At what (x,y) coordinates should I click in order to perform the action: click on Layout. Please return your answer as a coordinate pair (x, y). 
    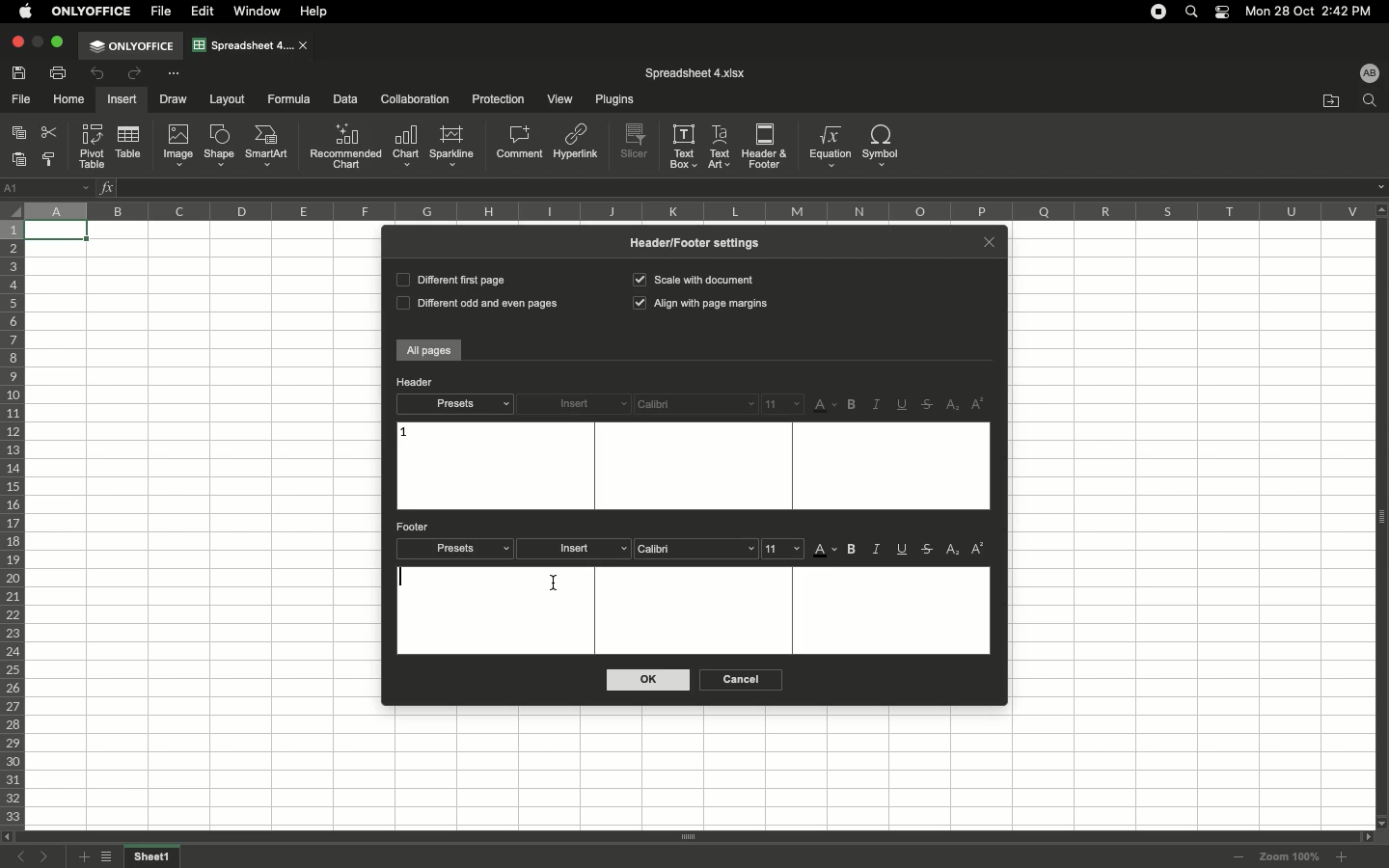
    Looking at the image, I should click on (228, 99).